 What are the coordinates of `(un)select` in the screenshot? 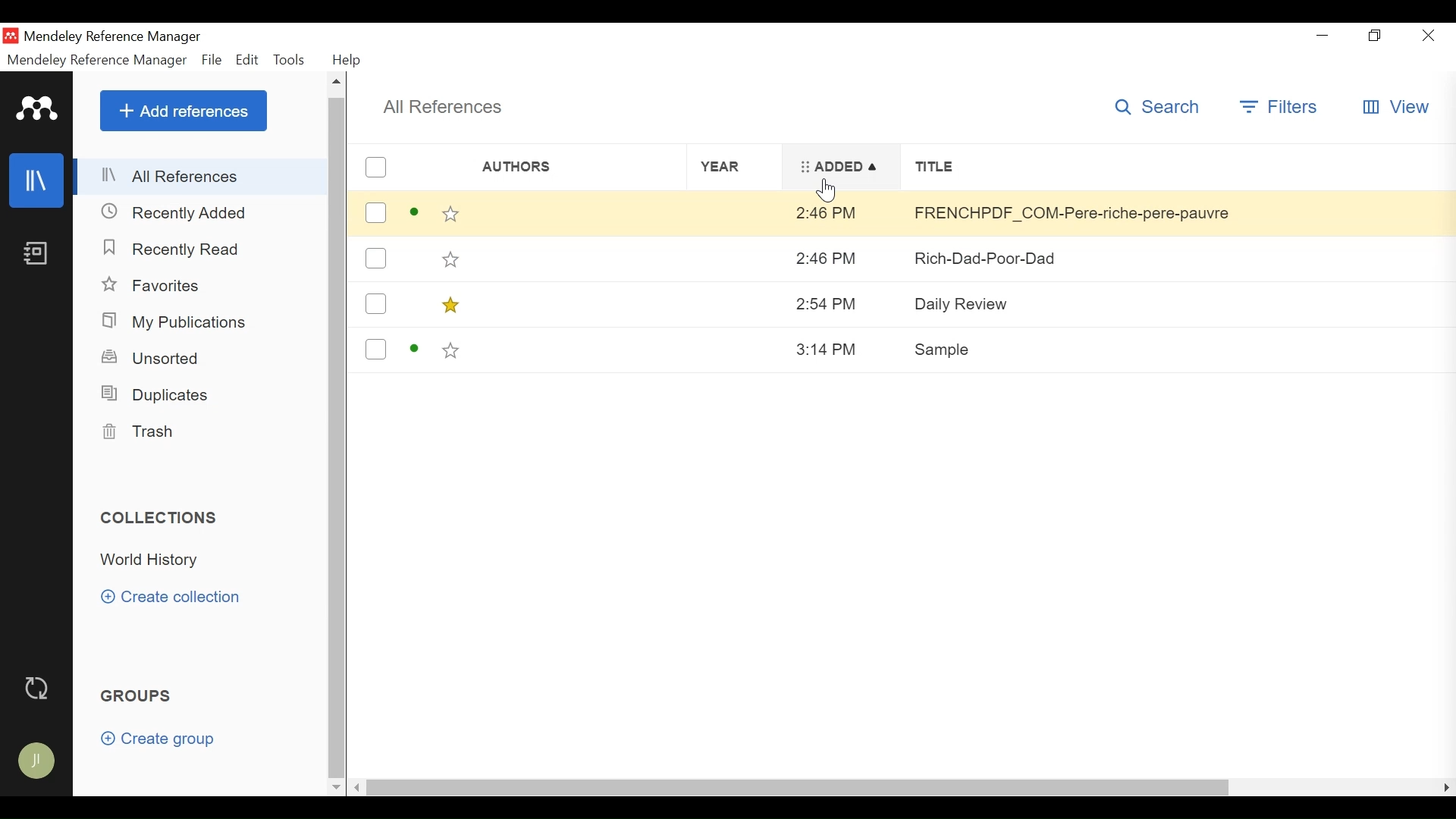 It's located at (375, 168).